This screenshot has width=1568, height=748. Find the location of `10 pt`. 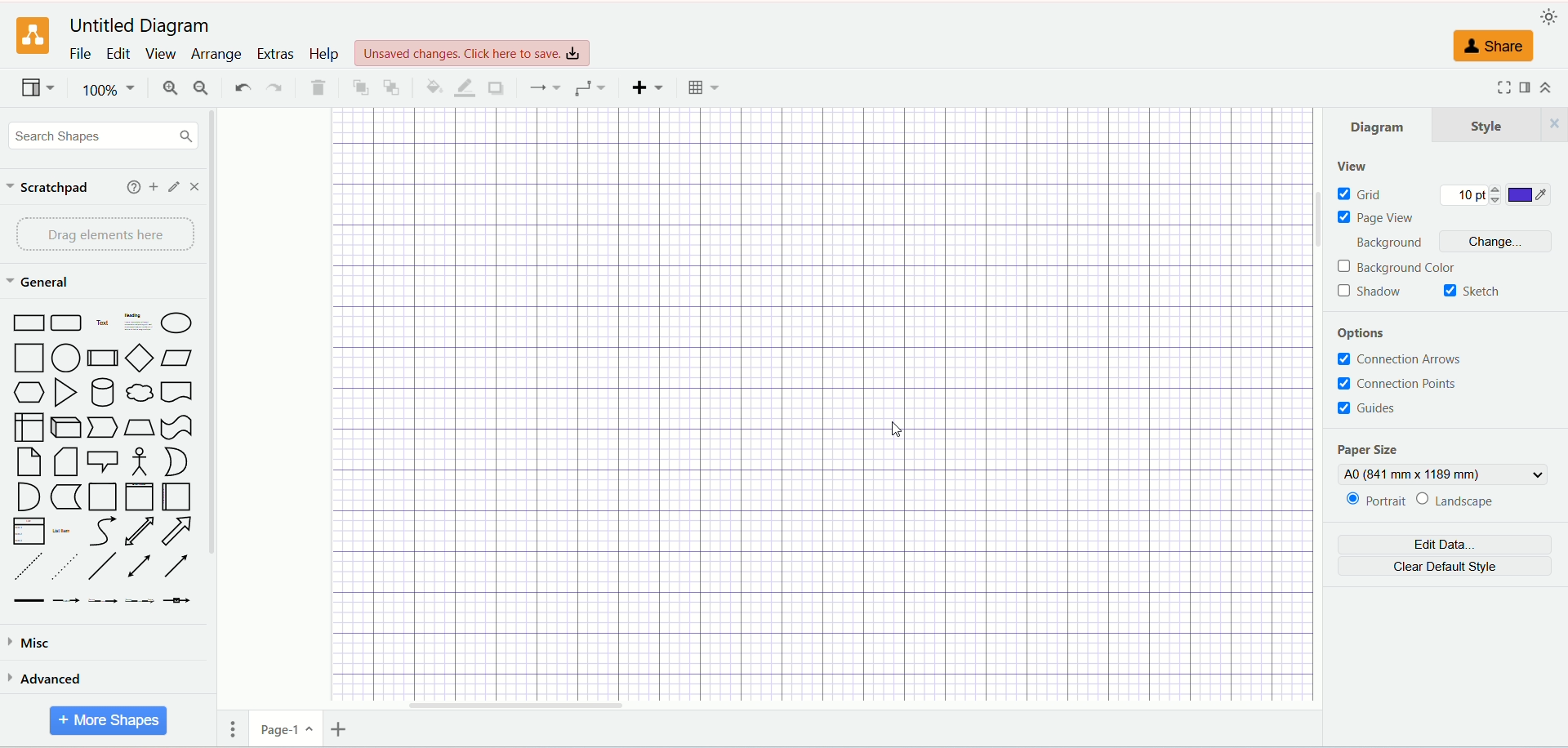

10 pt is located at coordinates (1471, 196).